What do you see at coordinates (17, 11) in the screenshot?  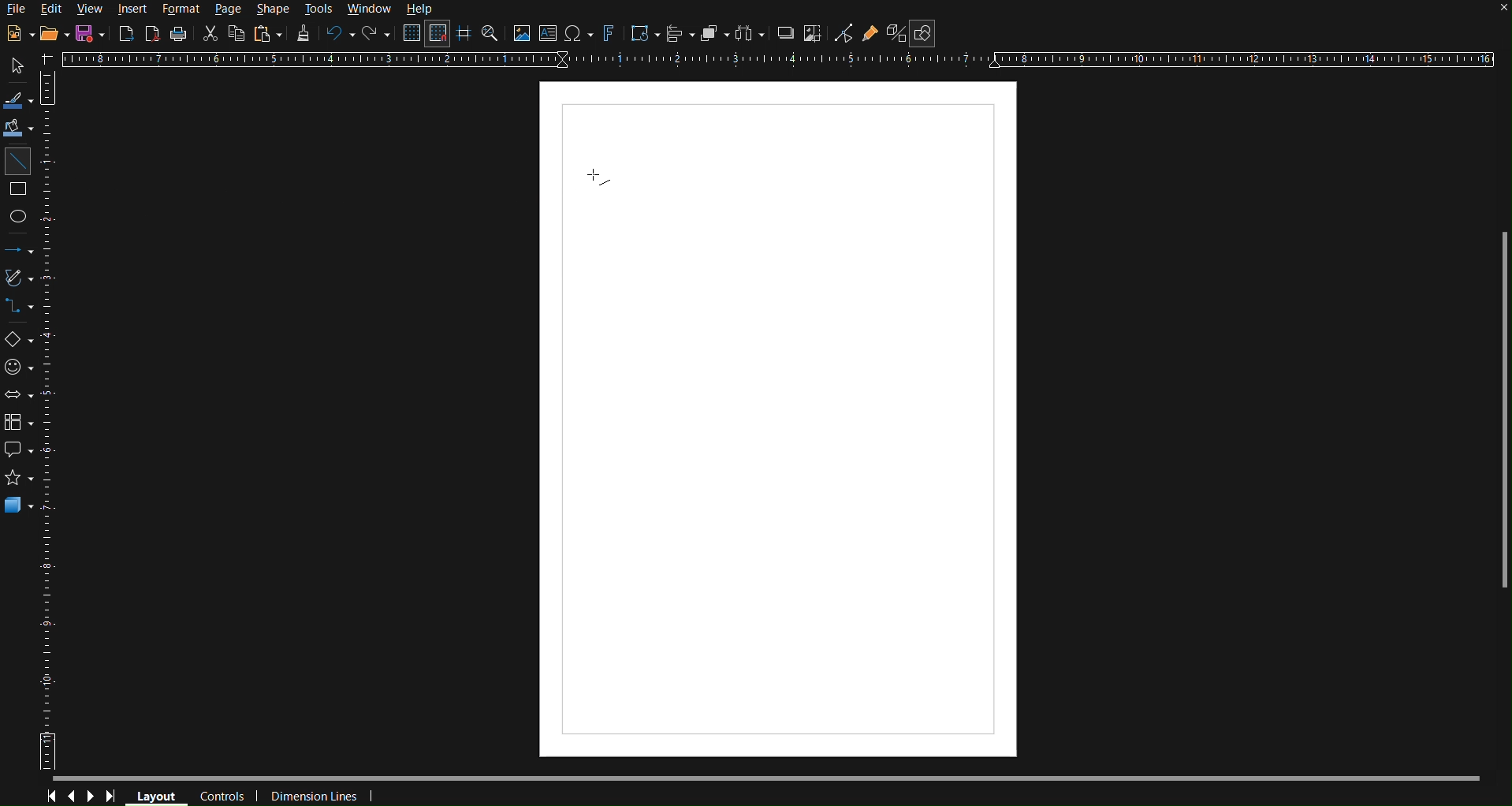 I see `File` at bounding box center [17, 11].